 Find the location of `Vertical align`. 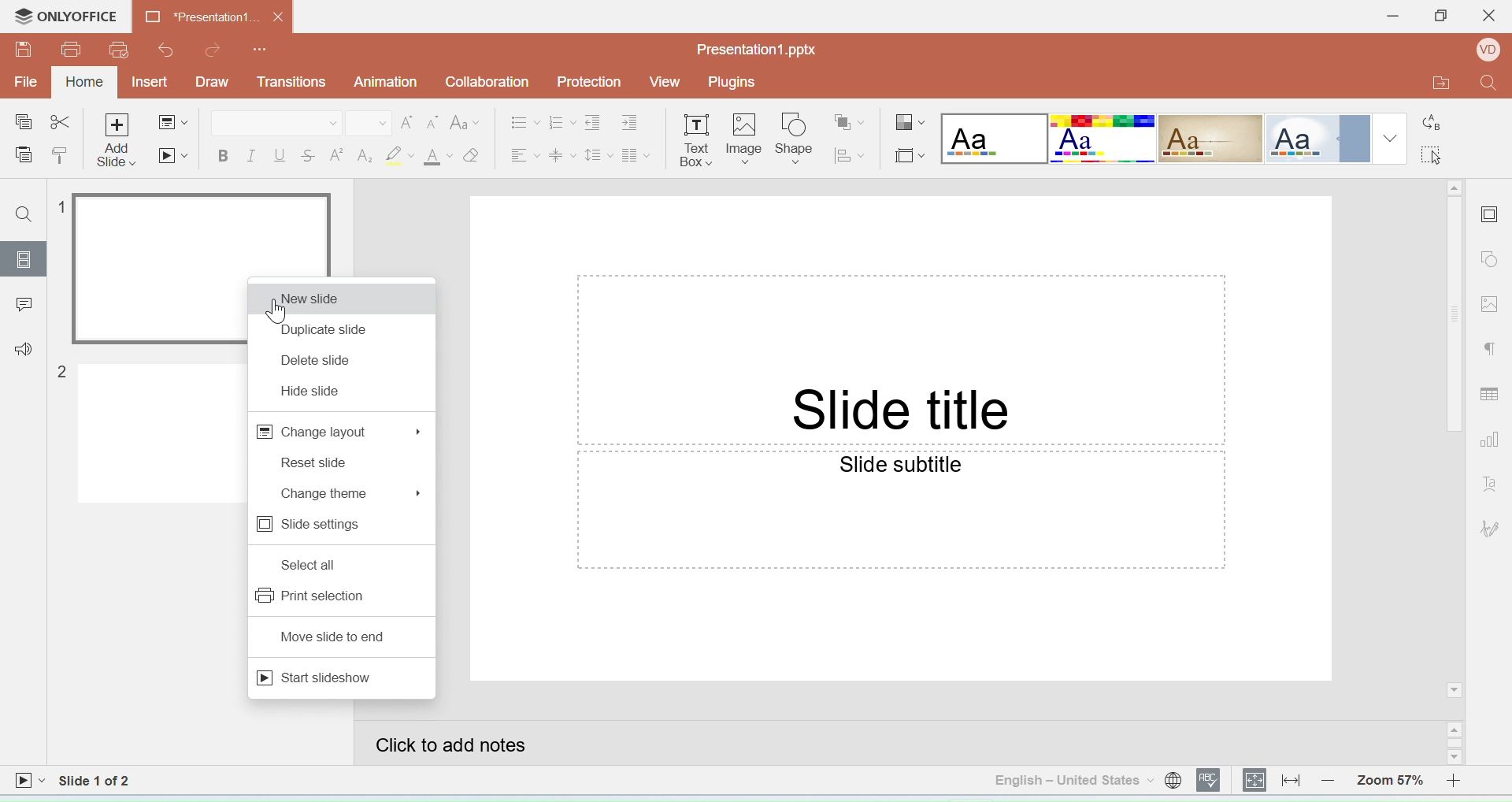

Vertical align is located at coordinates (563, 153).